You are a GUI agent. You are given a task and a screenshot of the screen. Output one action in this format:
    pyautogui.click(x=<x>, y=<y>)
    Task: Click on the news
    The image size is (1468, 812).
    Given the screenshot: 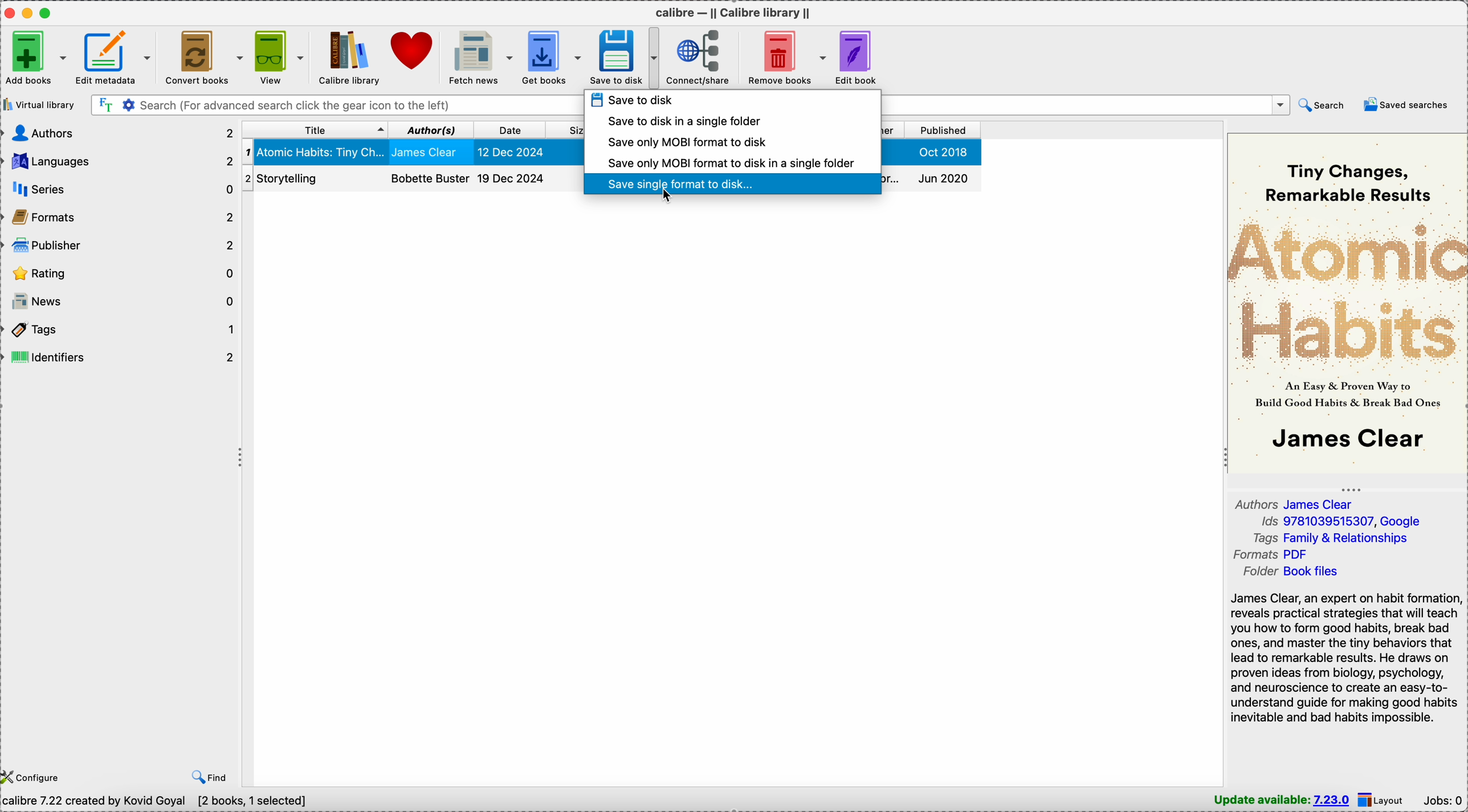 What is the action you would take?
    pyautogui.click(x=121, y=302)
    